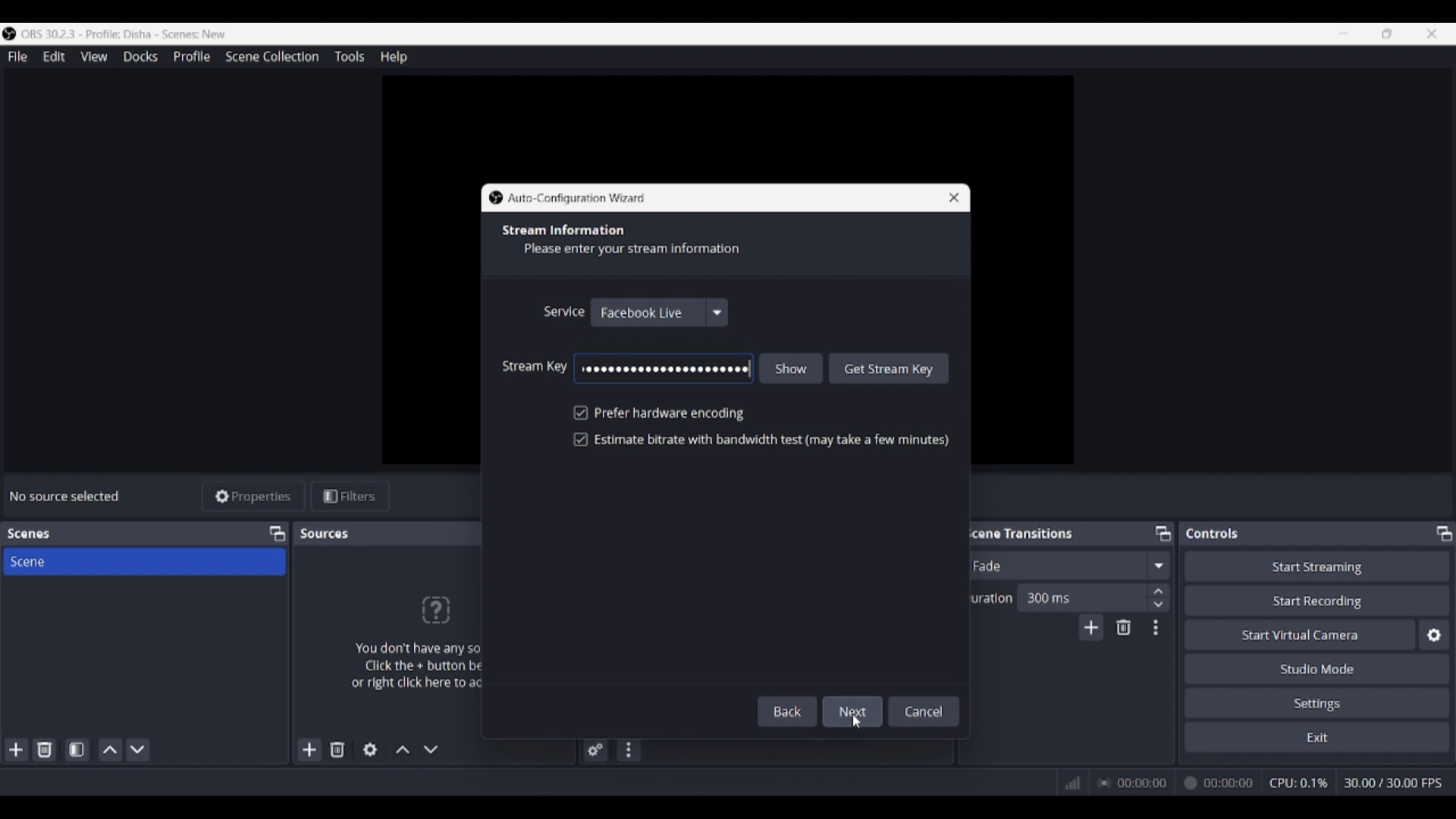 Image resolution: width=1456 pixels, height=819 pixels. What do you see at coordinates (1432, 33) in the screenshot?
I see `Close interface` at bounding box center [1432, 33].